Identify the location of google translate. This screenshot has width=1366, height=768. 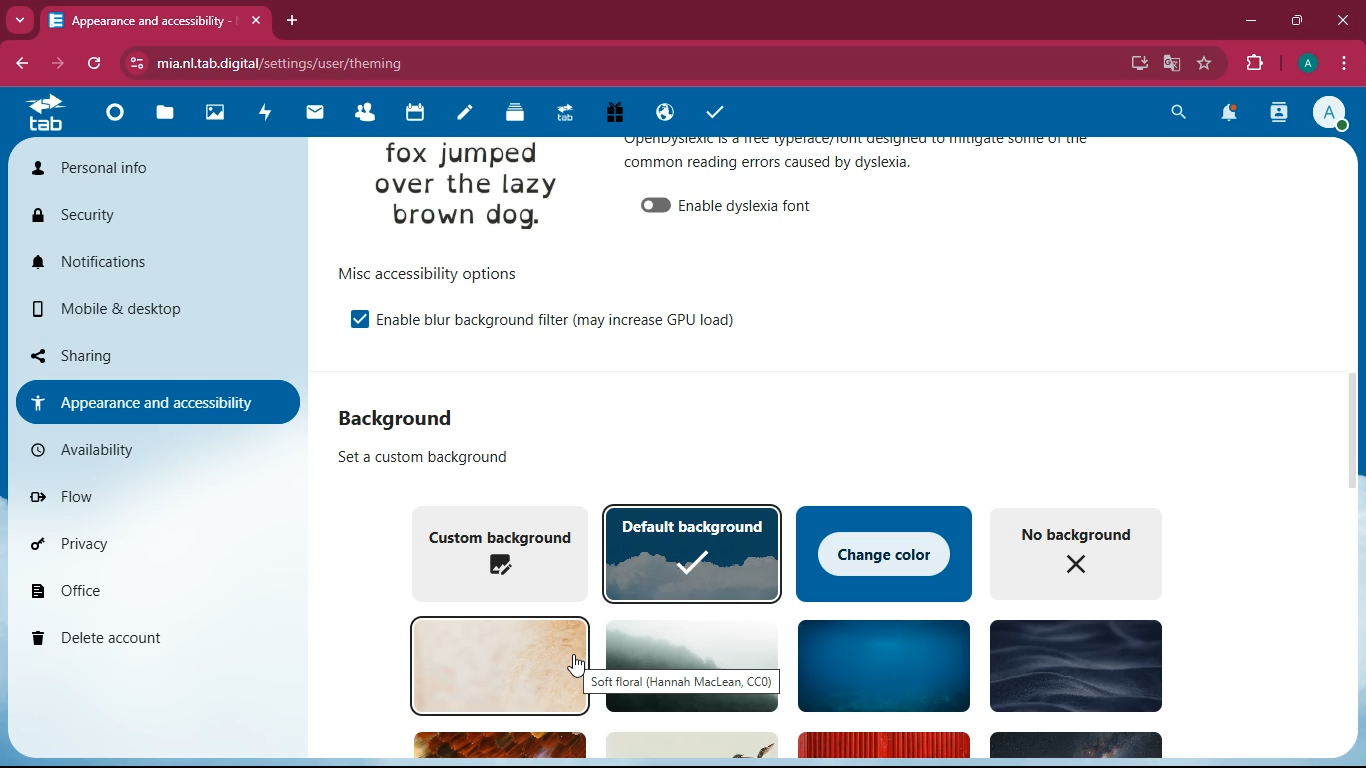
(1170, 66).